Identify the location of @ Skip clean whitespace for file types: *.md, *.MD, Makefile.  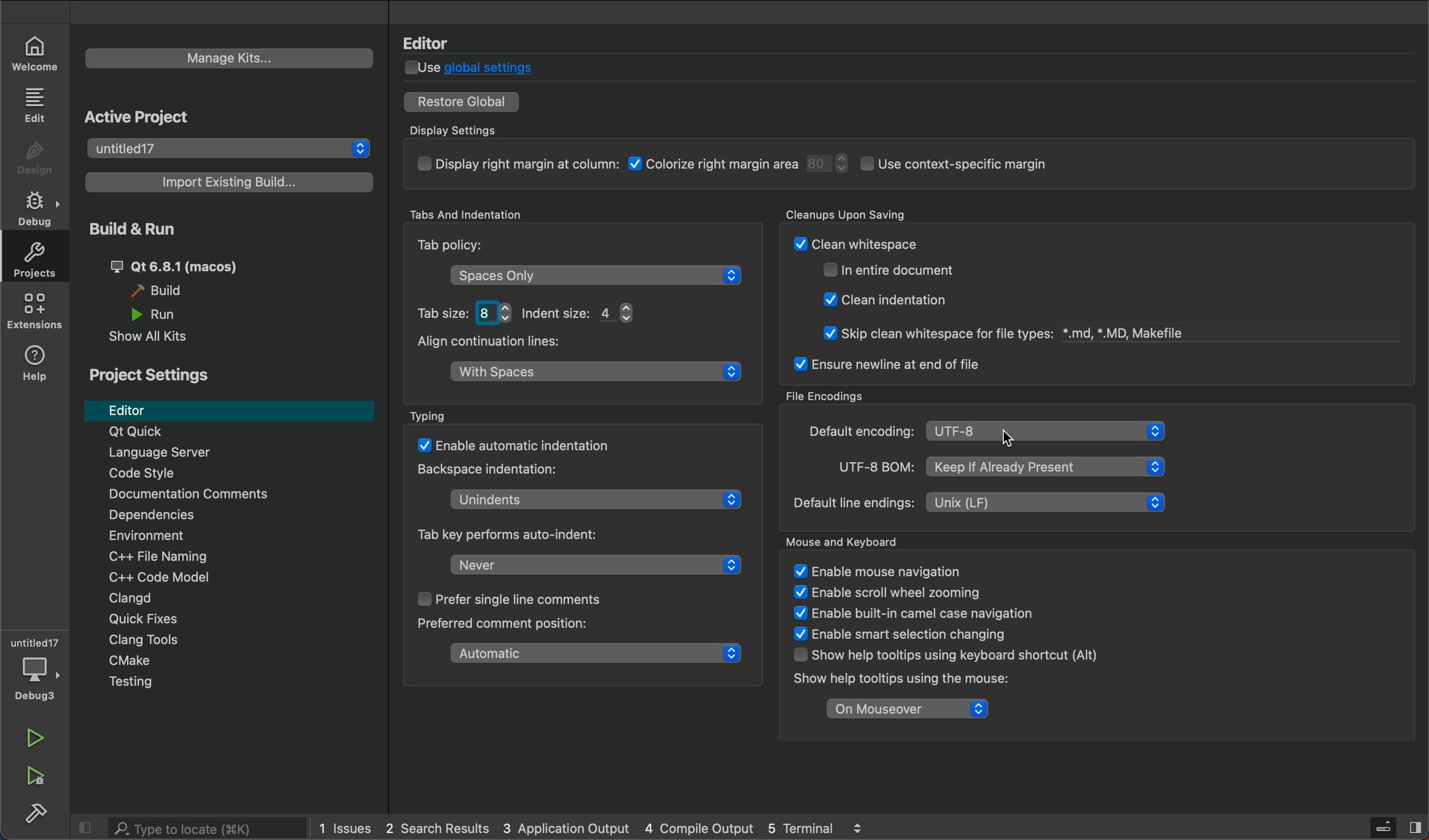
(1009, 332).